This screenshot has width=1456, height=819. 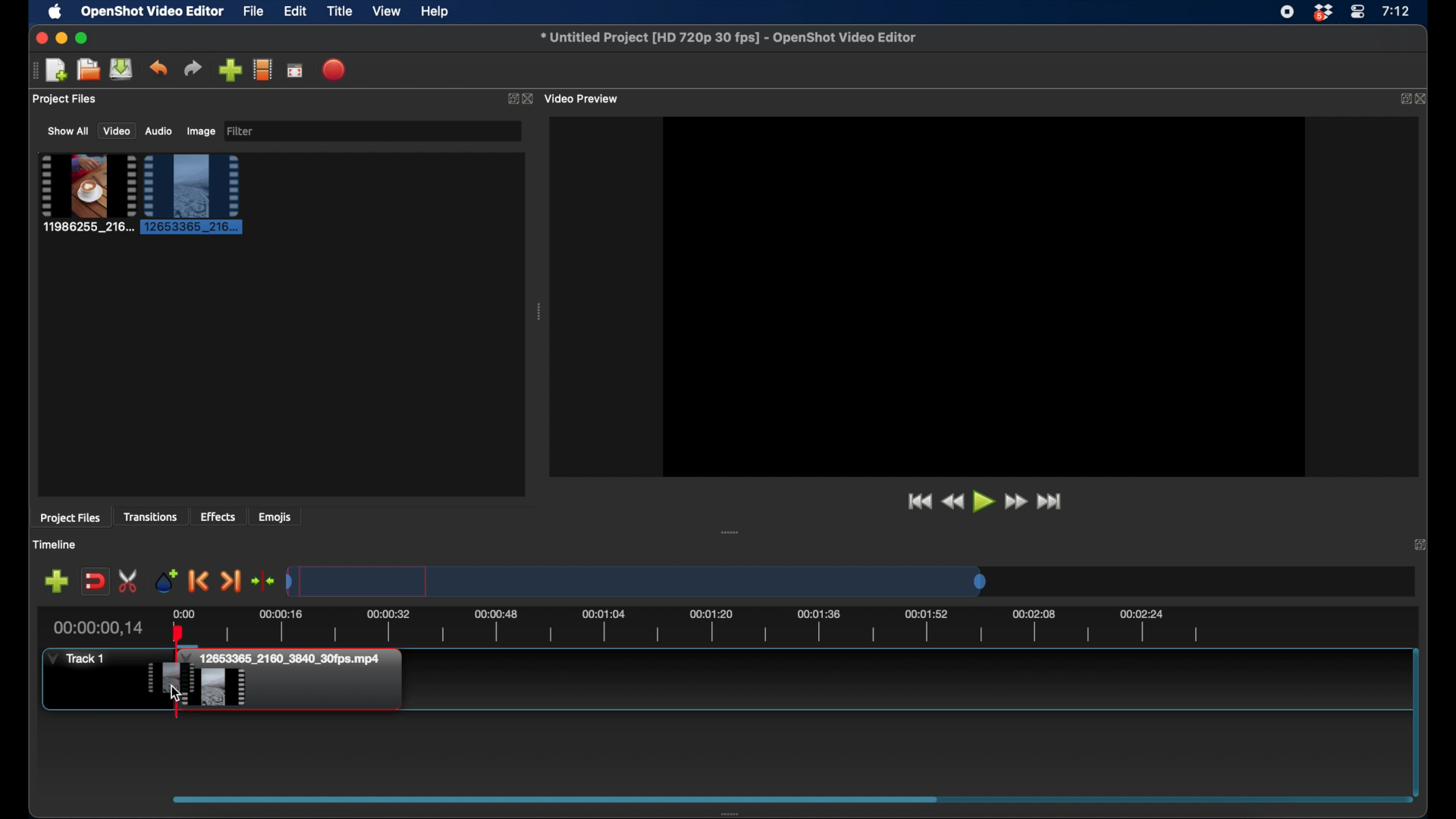 What do you see at coordinates (555, 798) in the screenshot?
I see `drag handle` at bounding box center [555, 798].